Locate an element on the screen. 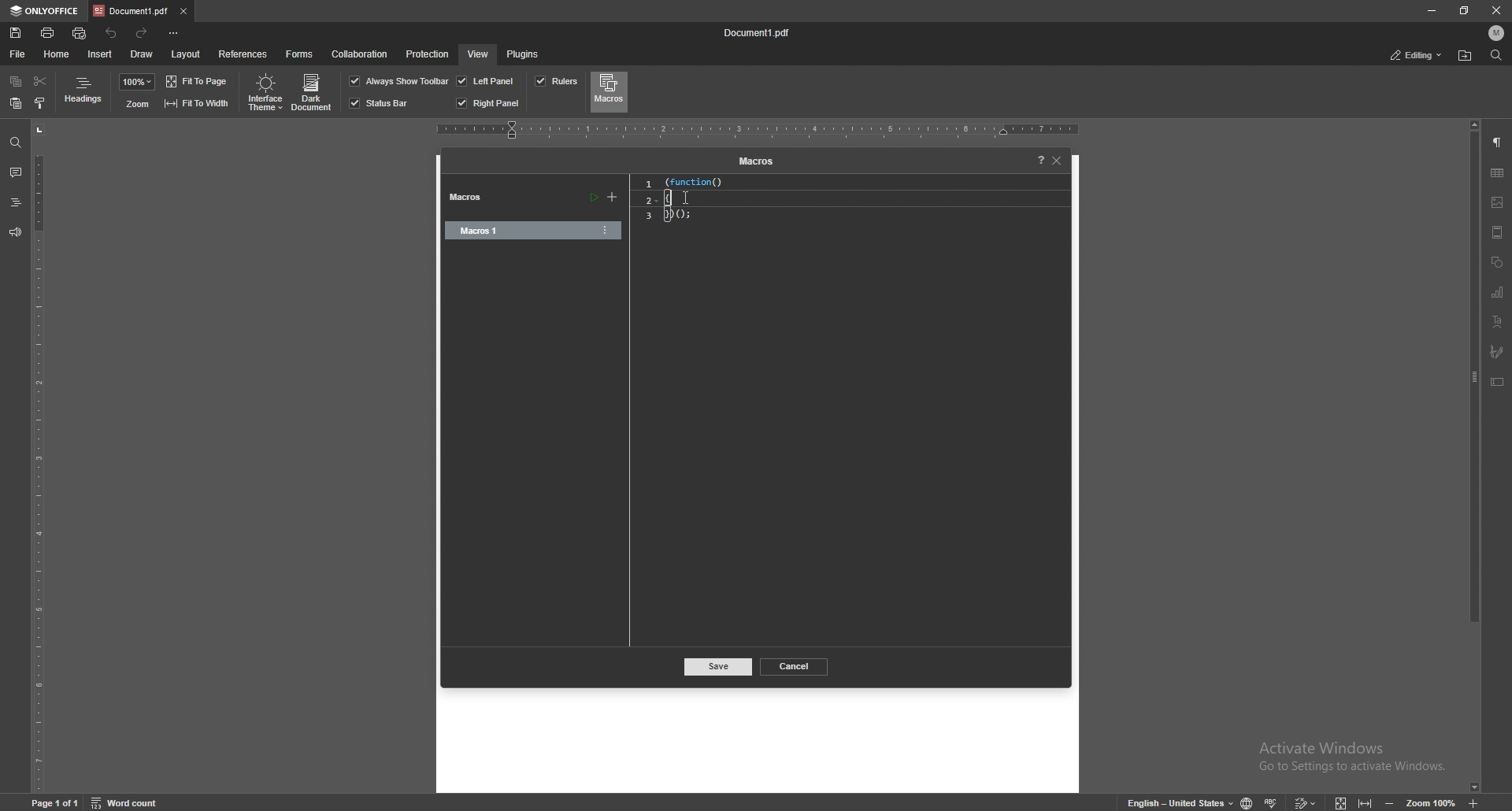  macros is located at coordinates (472, 198).